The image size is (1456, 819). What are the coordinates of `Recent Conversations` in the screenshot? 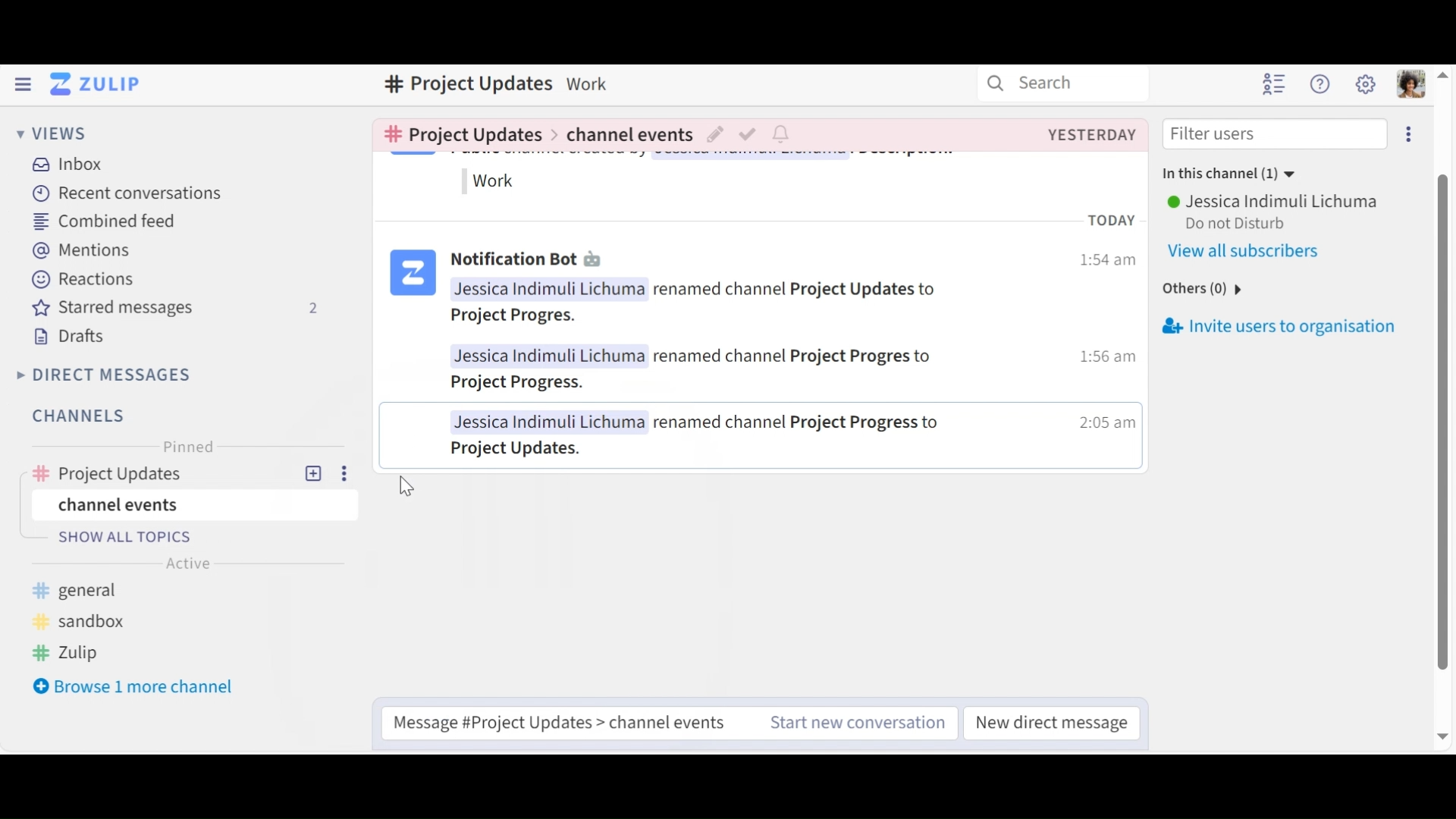 It's located at (122, 193).